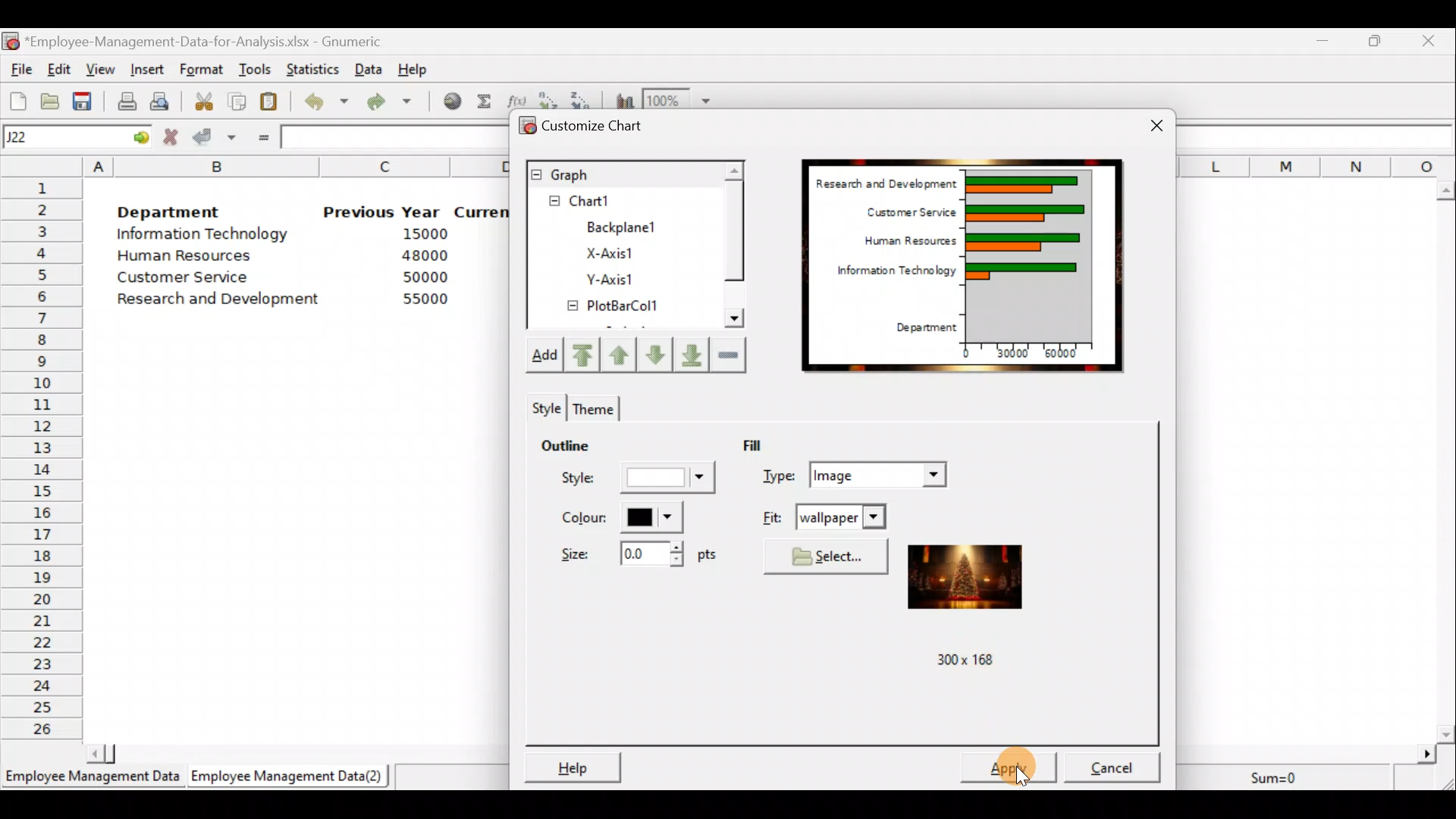 The width and height of the screenshot is (1456, 819). Describe the element at coordinates (90, 778) in the screenshot. I see `Employee Management Data` at that location.